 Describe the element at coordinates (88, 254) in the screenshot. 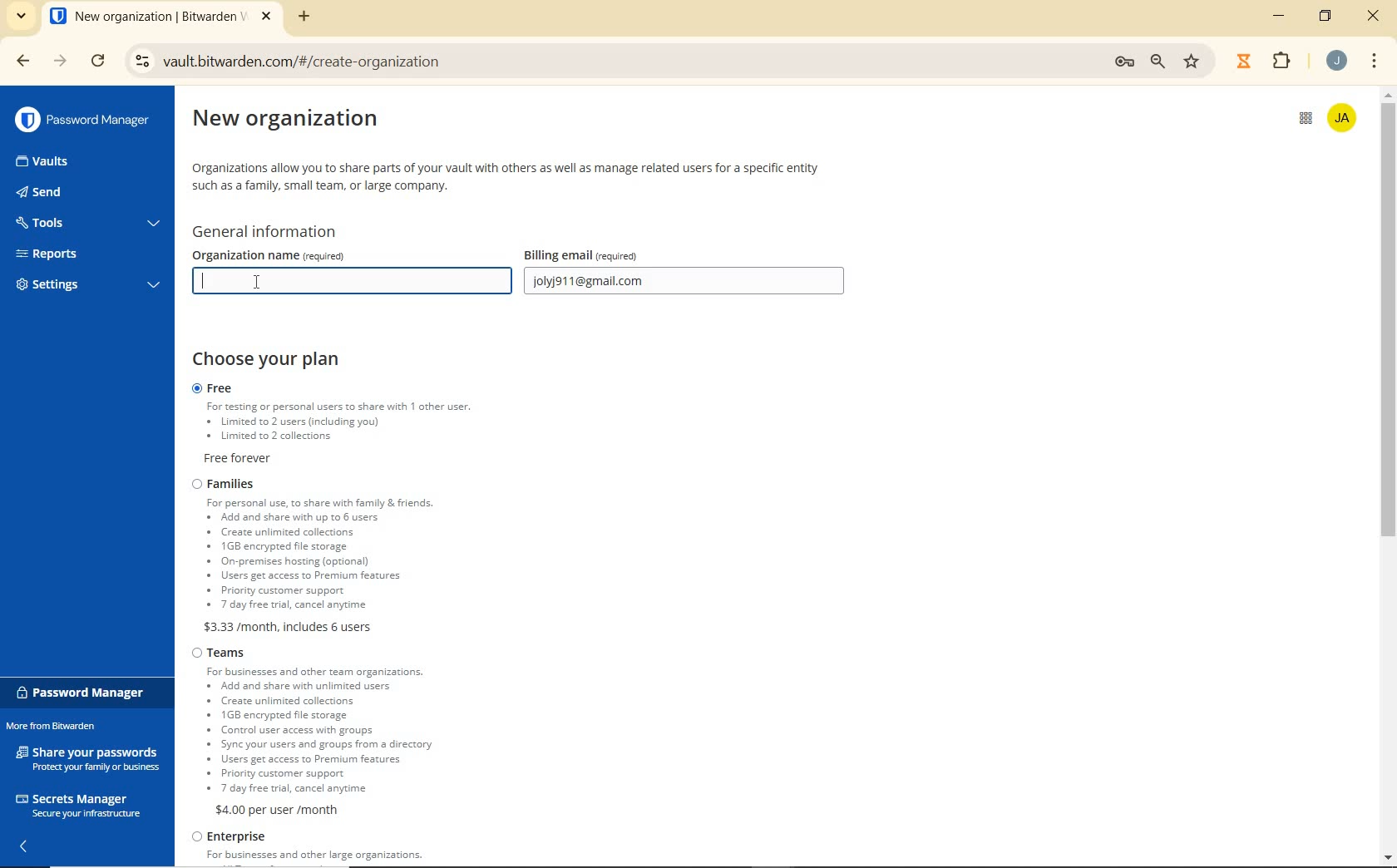

I see `reports` at that location.